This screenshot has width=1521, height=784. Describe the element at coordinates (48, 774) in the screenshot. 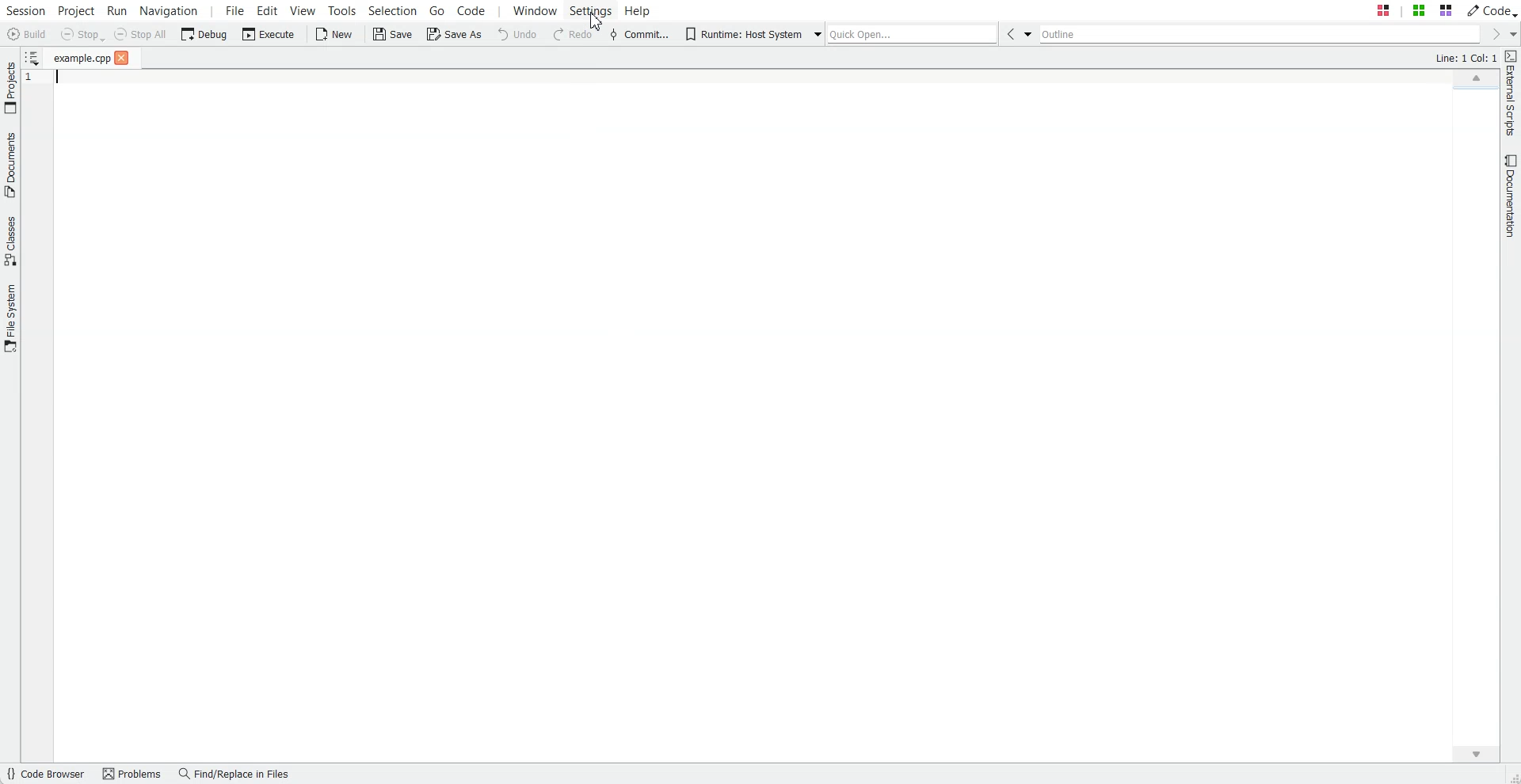

I see `Code Browser` at that location.